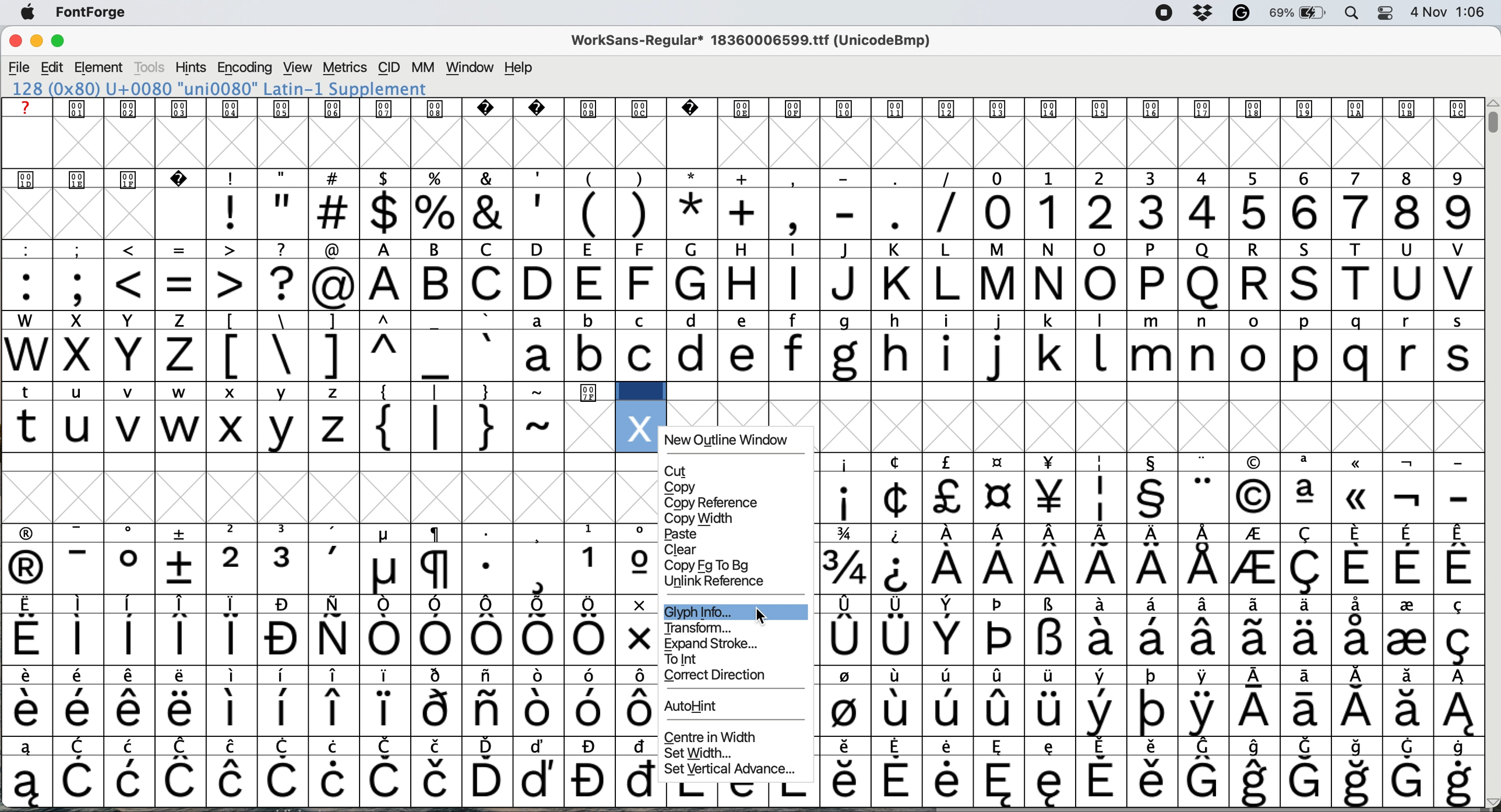 Image resolution: width=1501 pixels, height=812 pixels. Describe the element at coordinates (723, 503) in the screenshot. I see `copy reference` at that location.